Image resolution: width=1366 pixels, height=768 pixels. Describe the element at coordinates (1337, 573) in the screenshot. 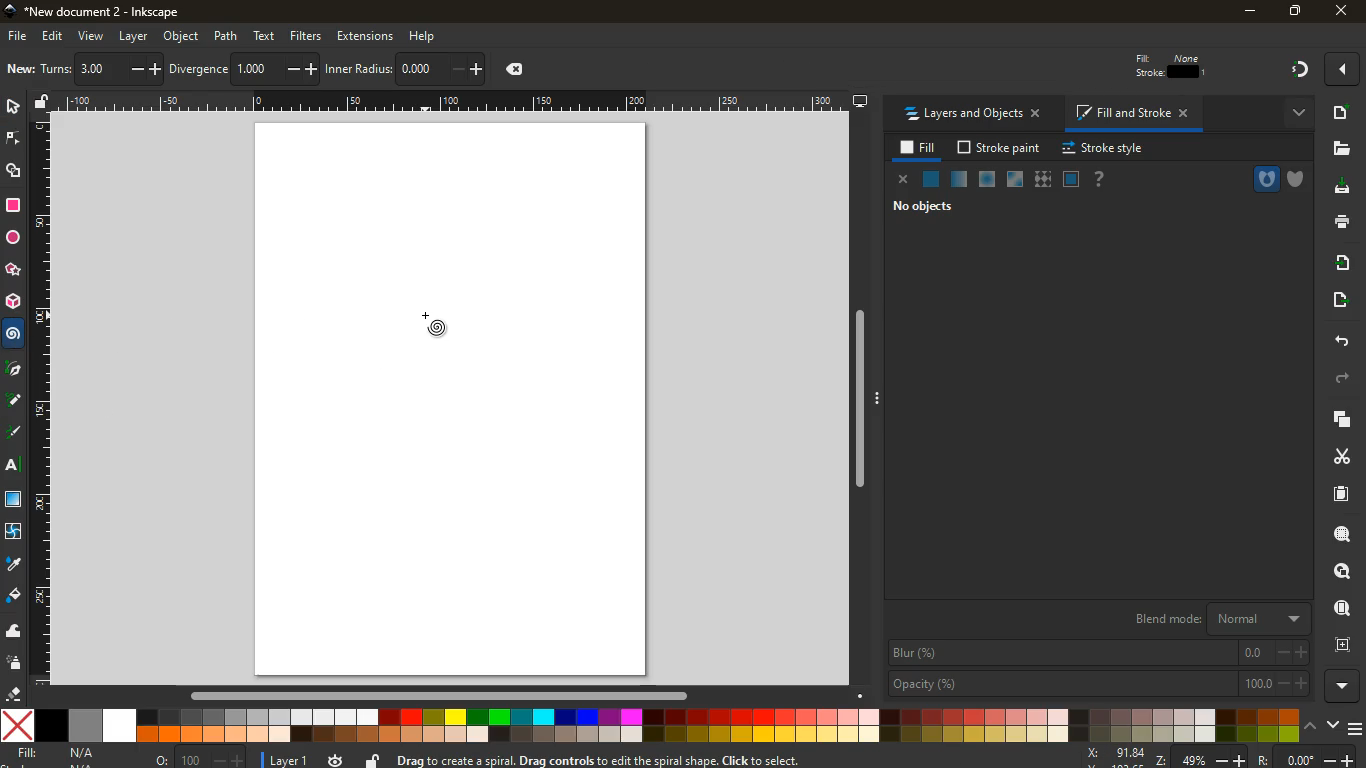

I see `look` at that location.